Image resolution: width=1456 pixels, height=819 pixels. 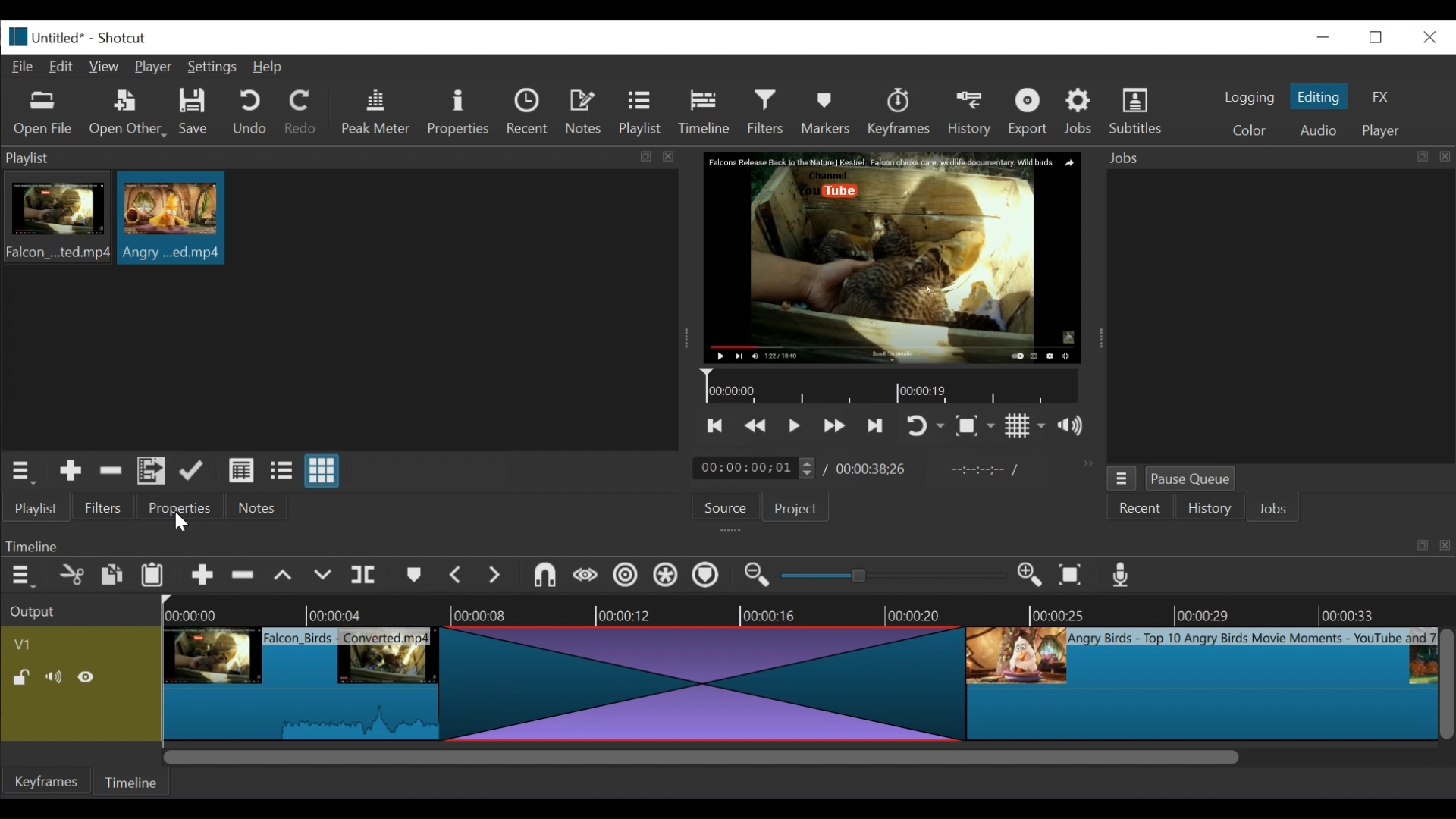 What do you see at coordinates (252, 113) in the screenshot?
I see `Undo` at bounding box center [252, 113].